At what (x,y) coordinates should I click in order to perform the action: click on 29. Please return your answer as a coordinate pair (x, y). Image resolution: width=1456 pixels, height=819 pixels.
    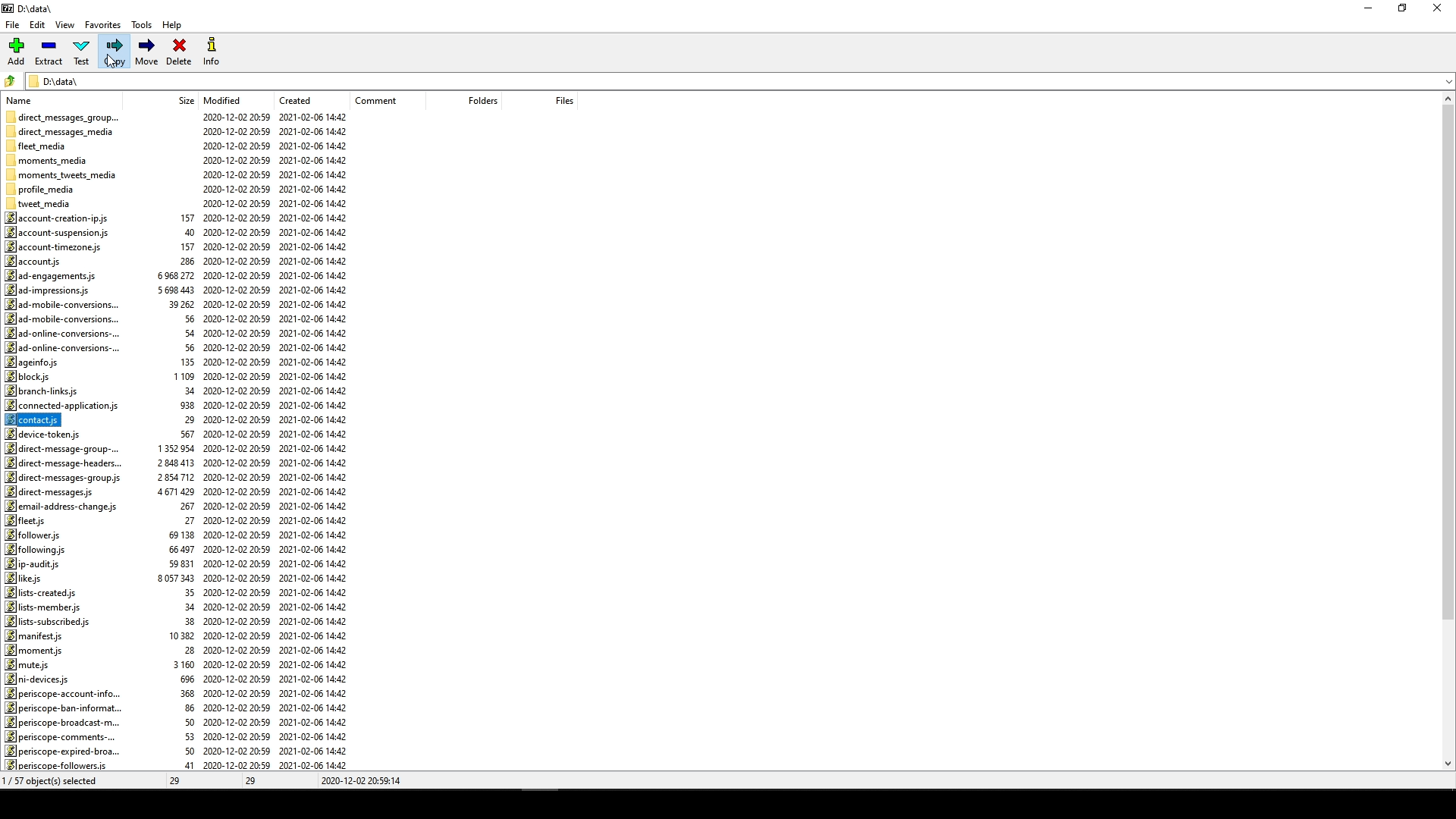
    Looking at the image, I should click on (179, 780).